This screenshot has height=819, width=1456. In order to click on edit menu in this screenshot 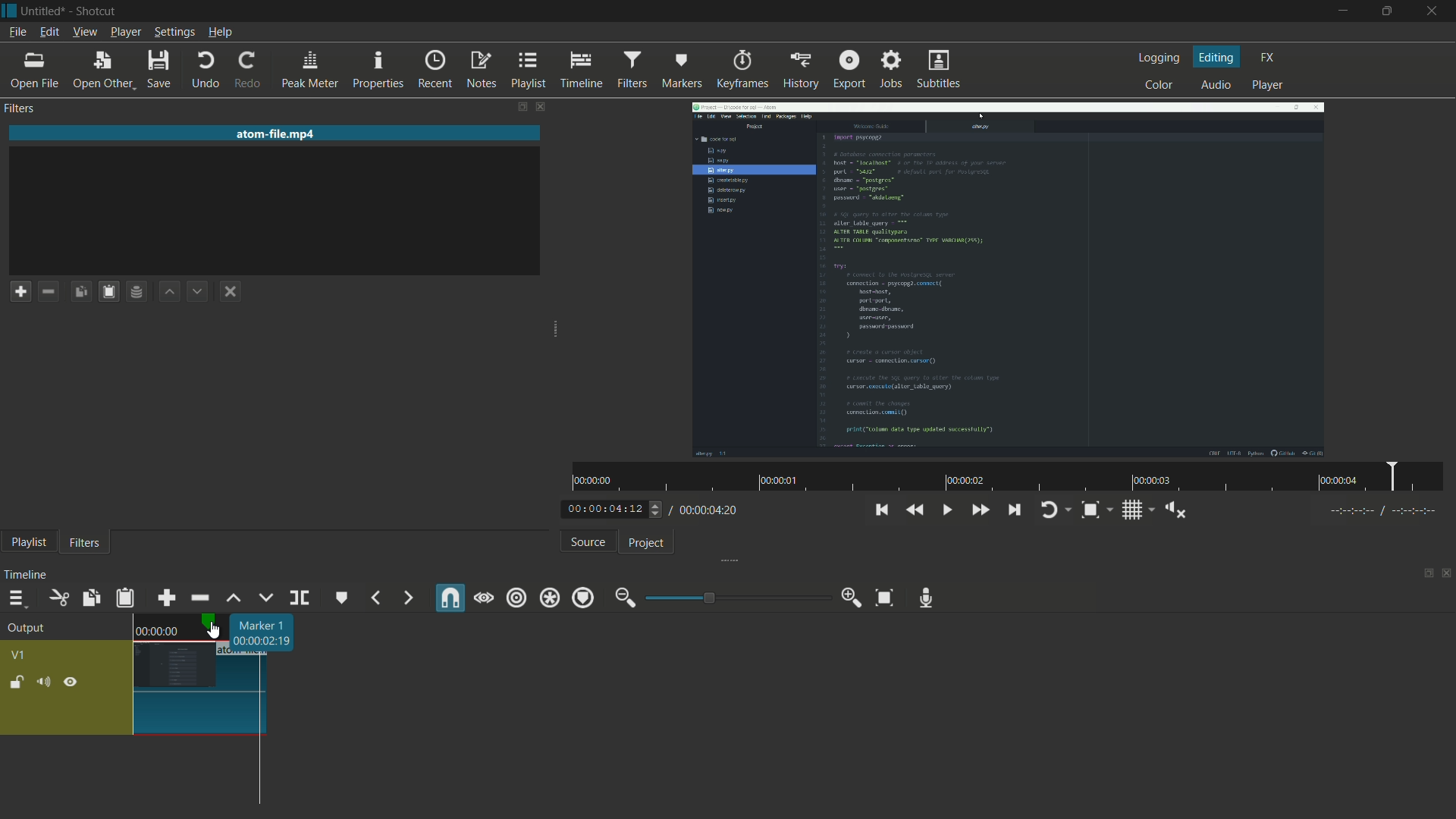, I will do `click(49, 34)`.